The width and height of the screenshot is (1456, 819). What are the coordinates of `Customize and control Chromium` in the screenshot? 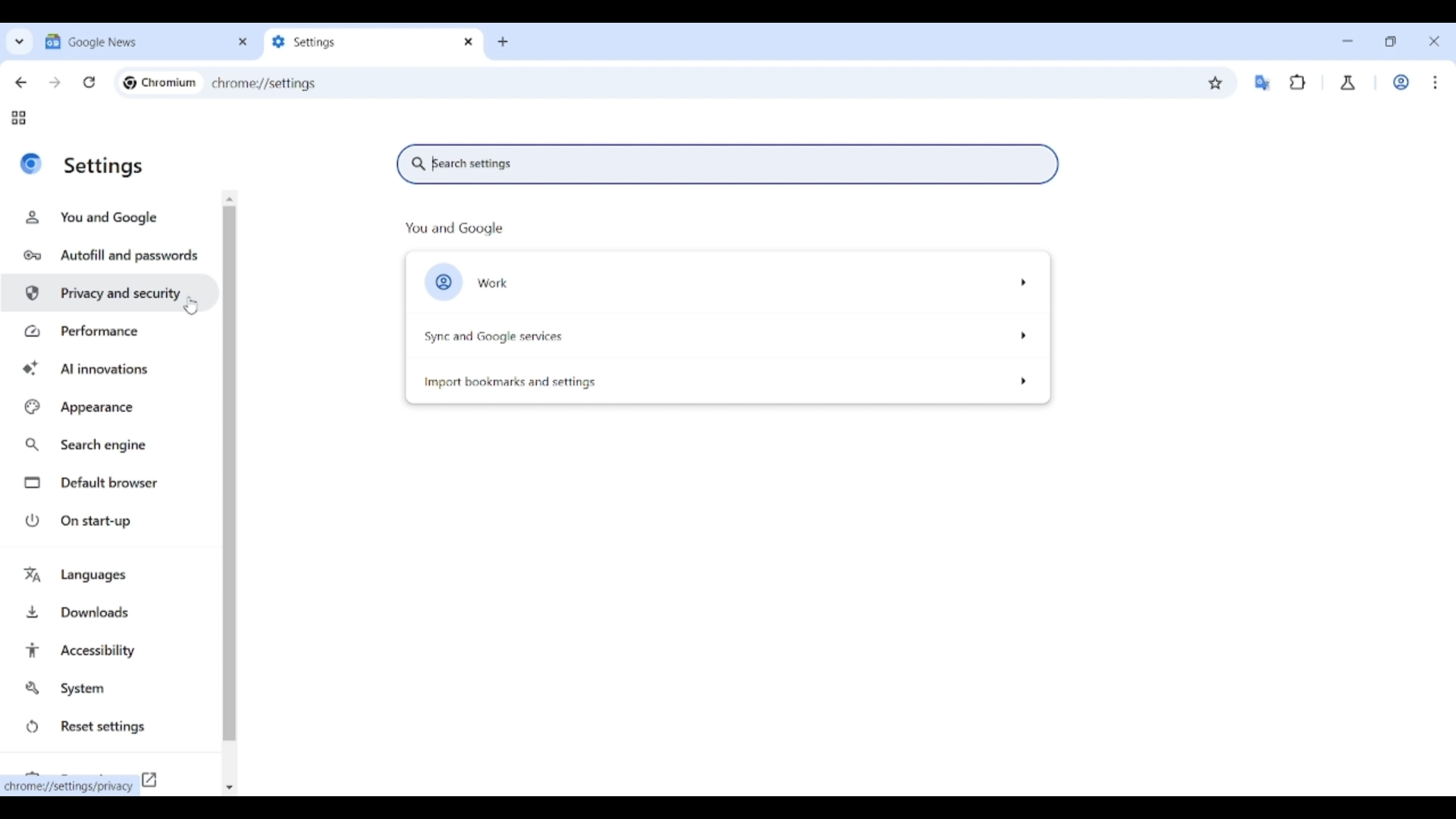 It's located at (1435, 82).